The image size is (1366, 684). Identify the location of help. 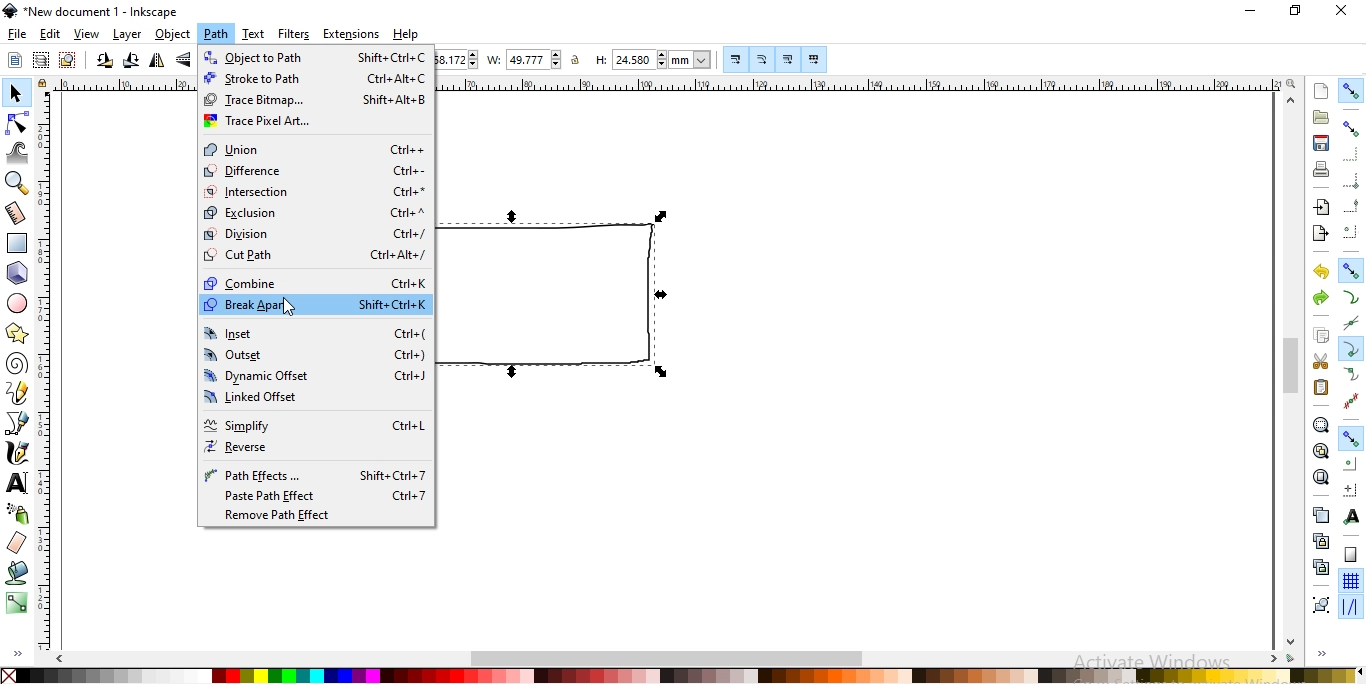
(406, 35).